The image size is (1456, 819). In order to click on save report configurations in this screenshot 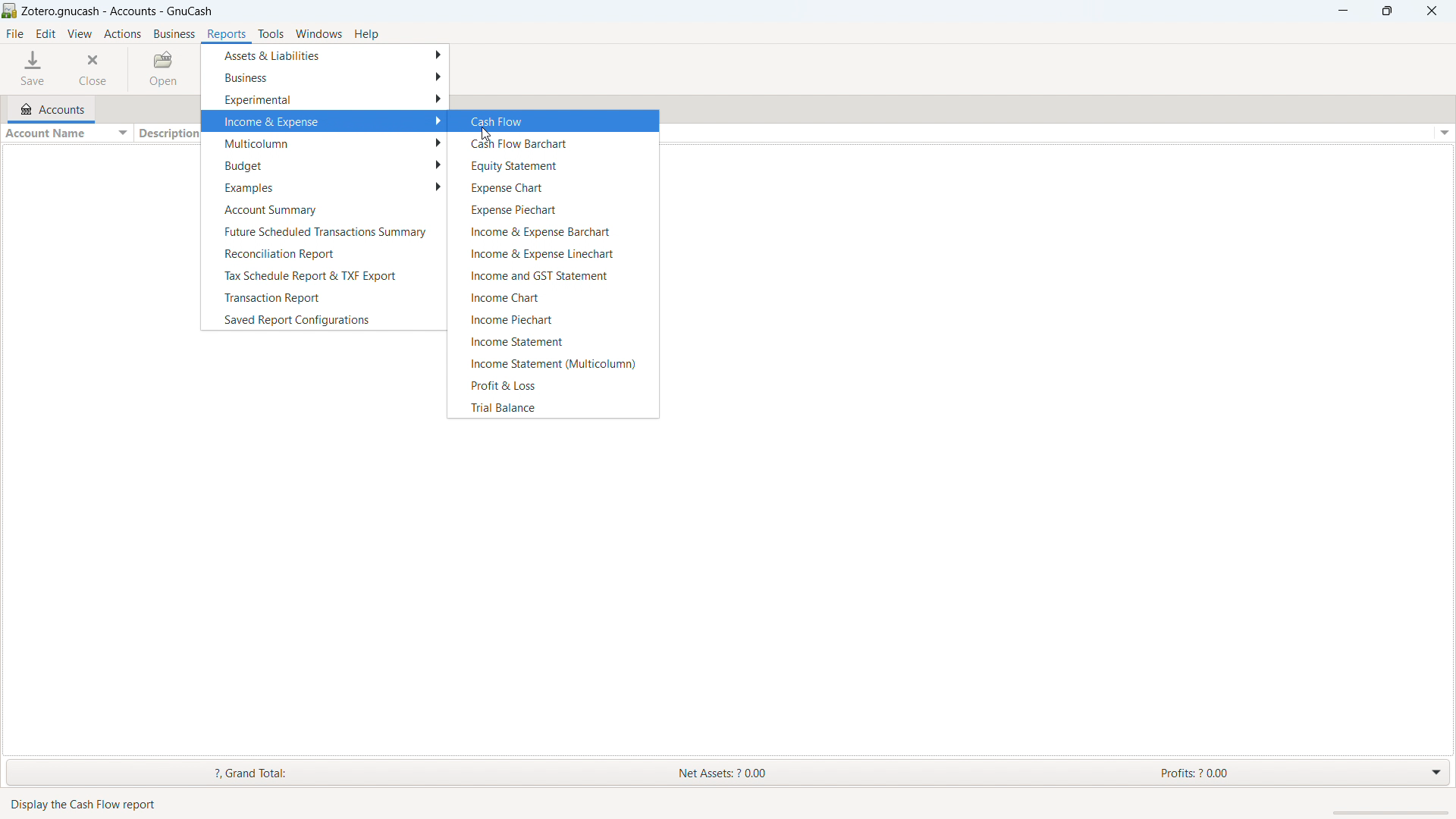, I will do `click(322, 318)`.